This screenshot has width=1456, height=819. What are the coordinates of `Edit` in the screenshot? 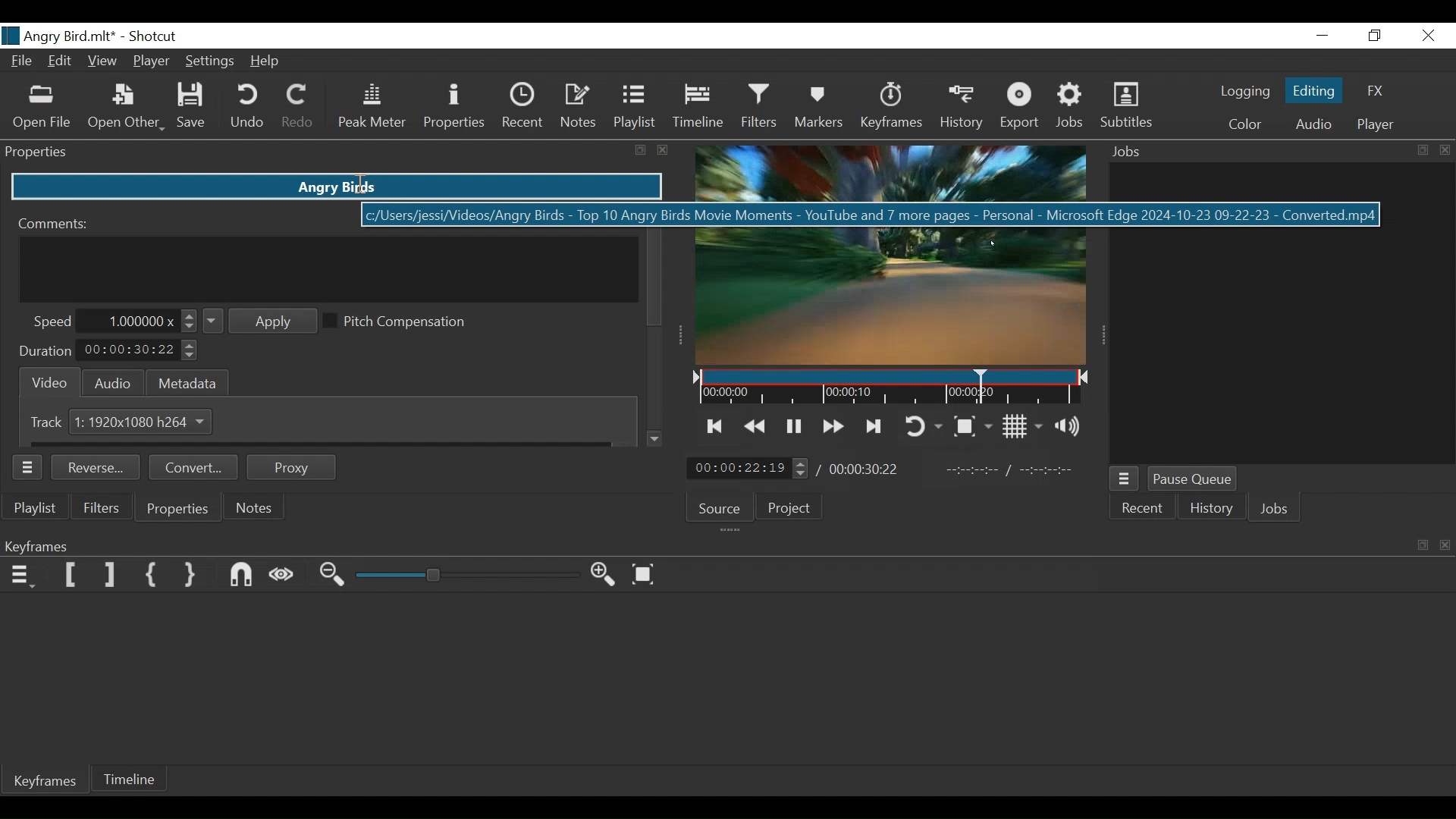 It's located at (61, 63).